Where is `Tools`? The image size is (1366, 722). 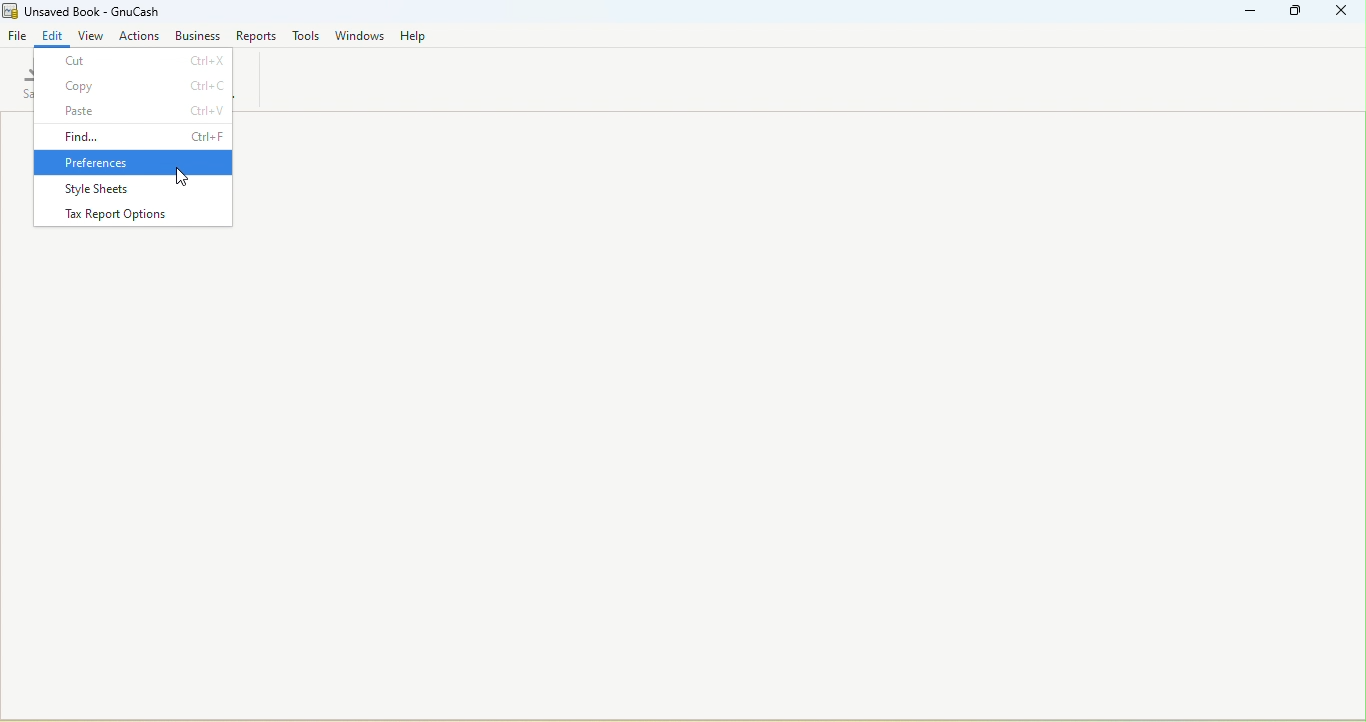
Tools is located at coordinates (308, 35).